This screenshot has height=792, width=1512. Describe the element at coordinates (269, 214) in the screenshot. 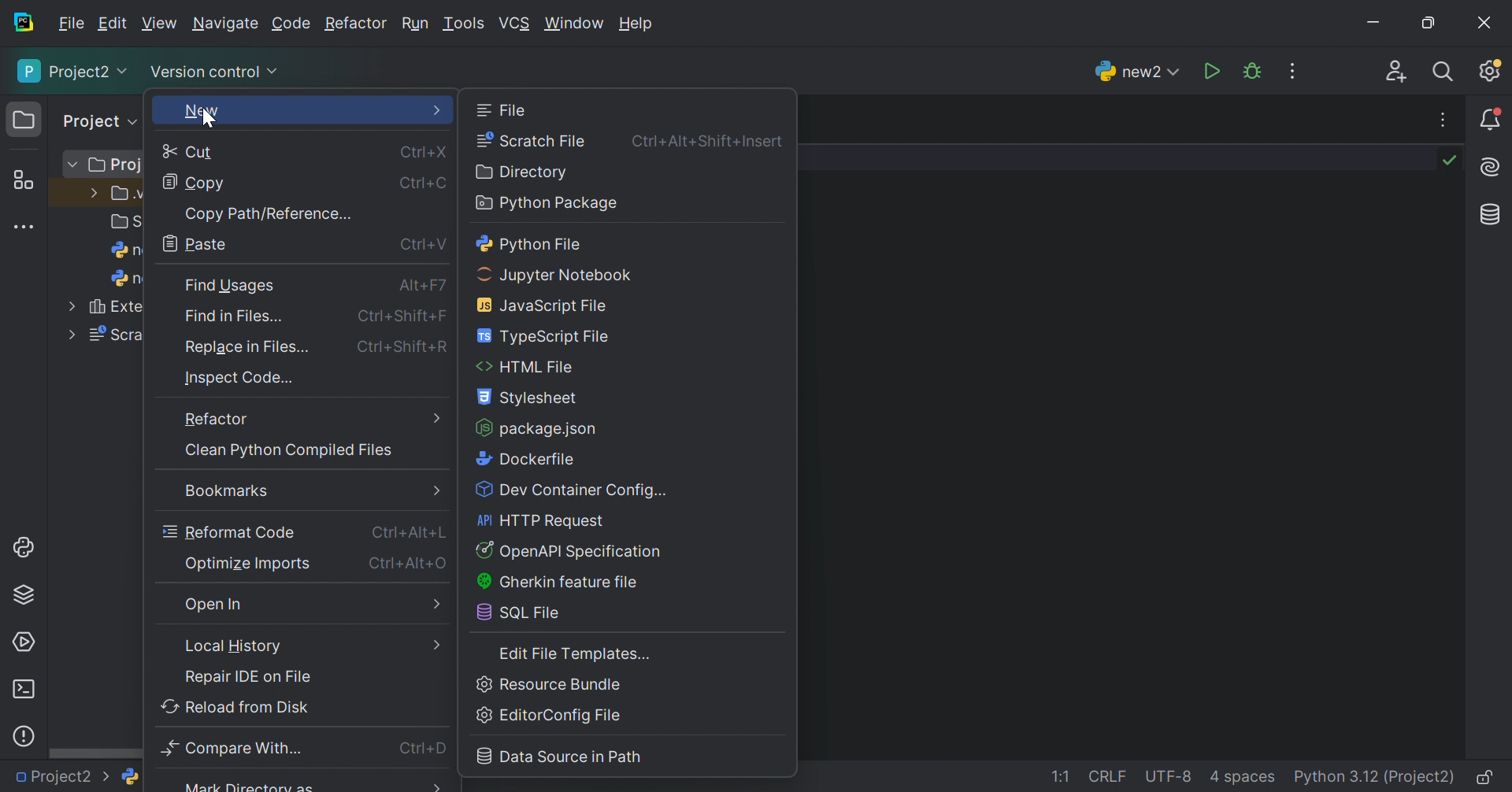

I see `Copy path/reference...` at that location.